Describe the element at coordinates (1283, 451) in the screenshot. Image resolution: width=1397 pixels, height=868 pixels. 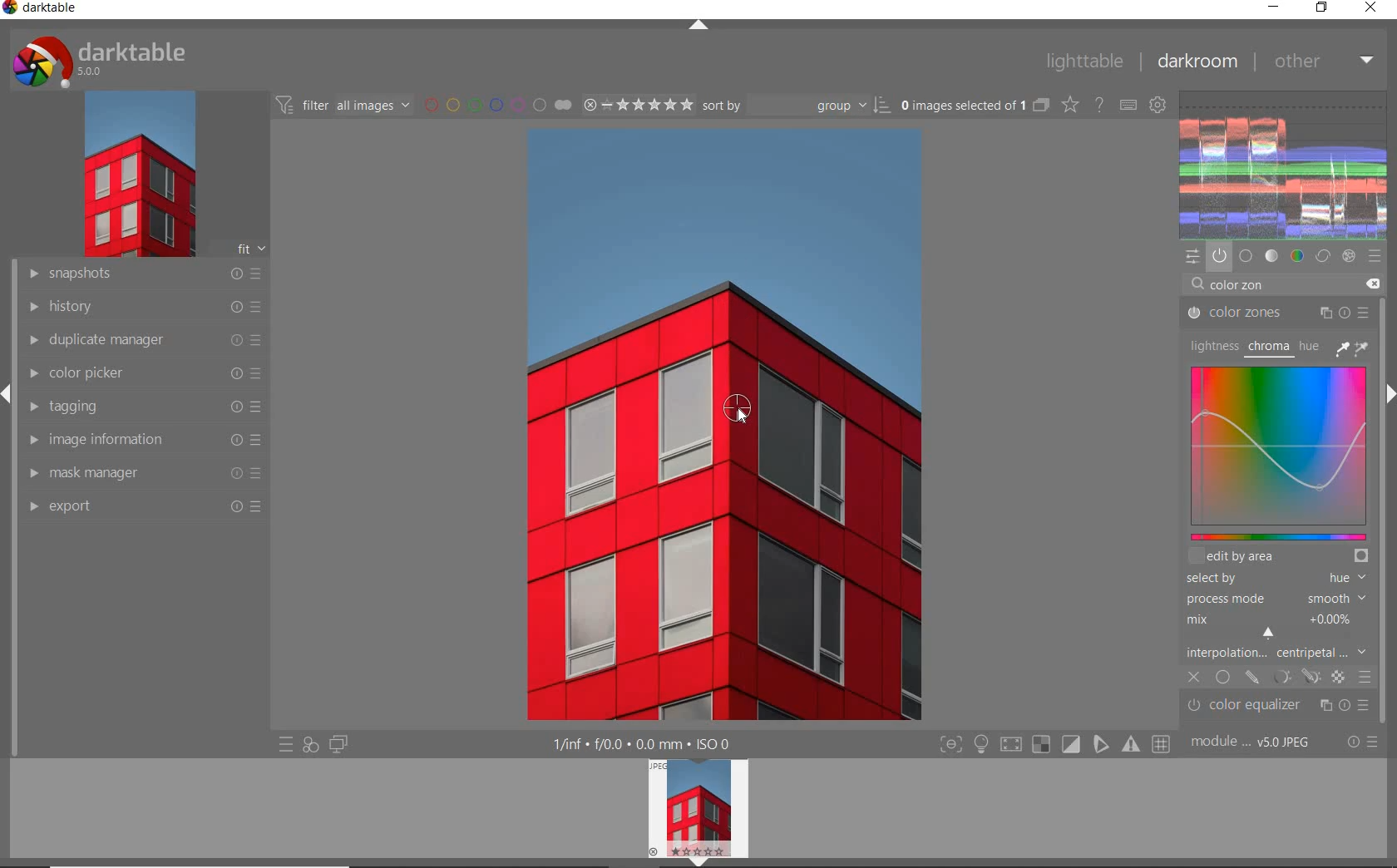
I see `MAP` at that location.